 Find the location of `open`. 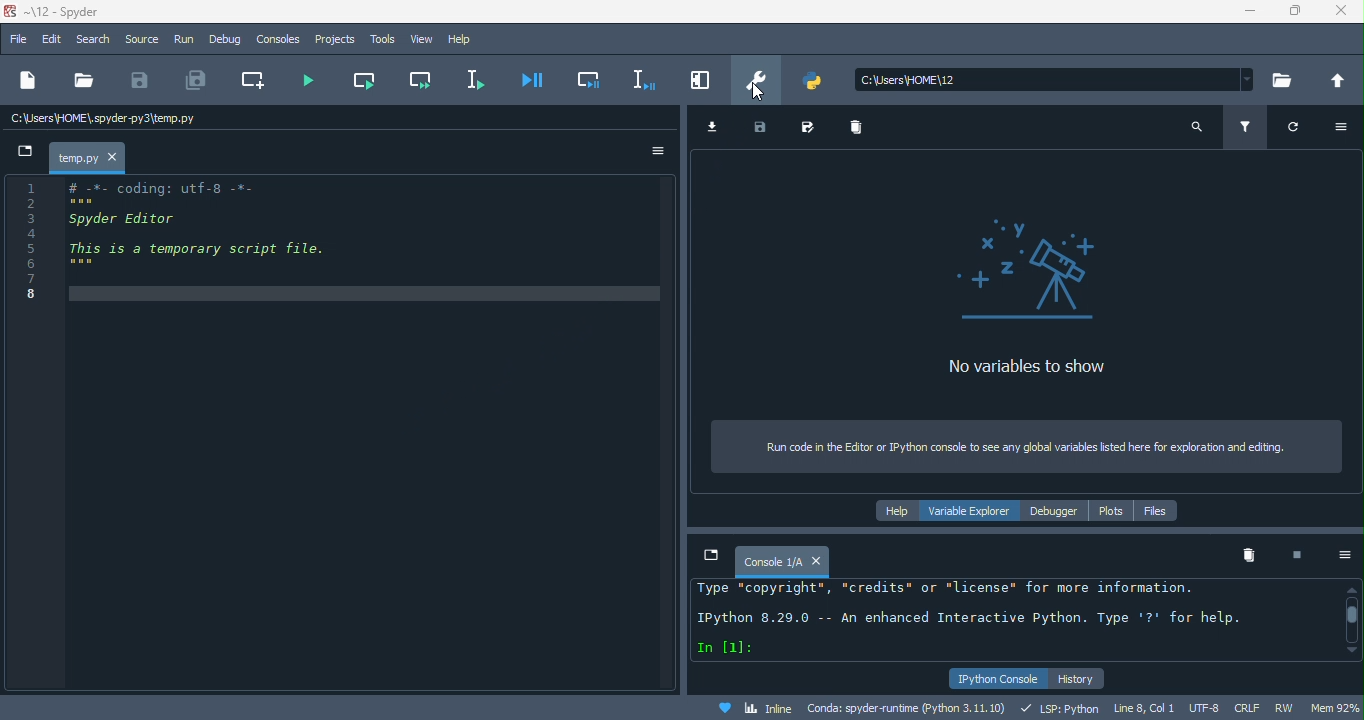

open is located at coordinates (83, 81).